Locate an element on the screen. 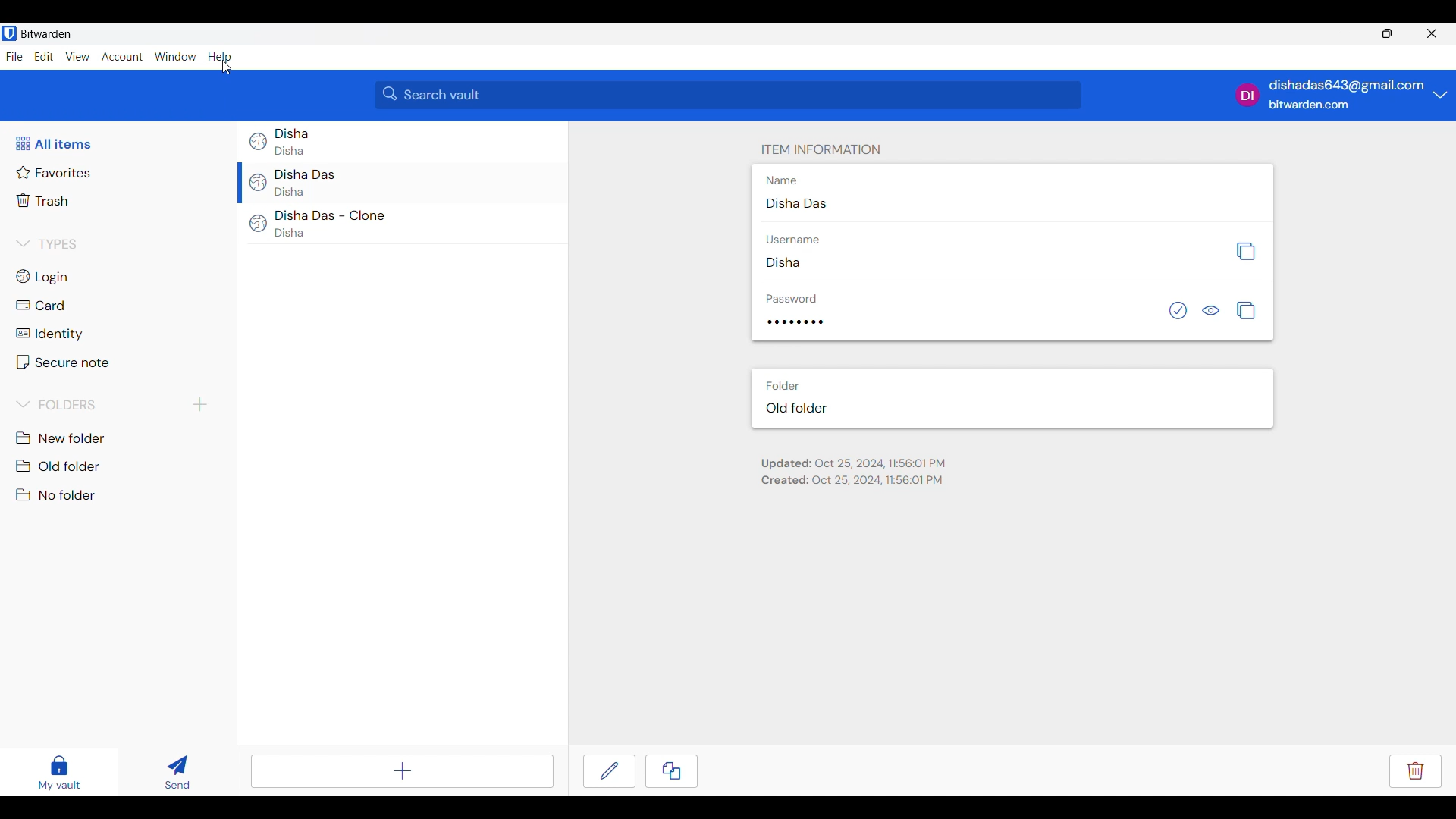 This screenshot has width=1456, height=819. Add new folder is located at coordinates (200, 405).